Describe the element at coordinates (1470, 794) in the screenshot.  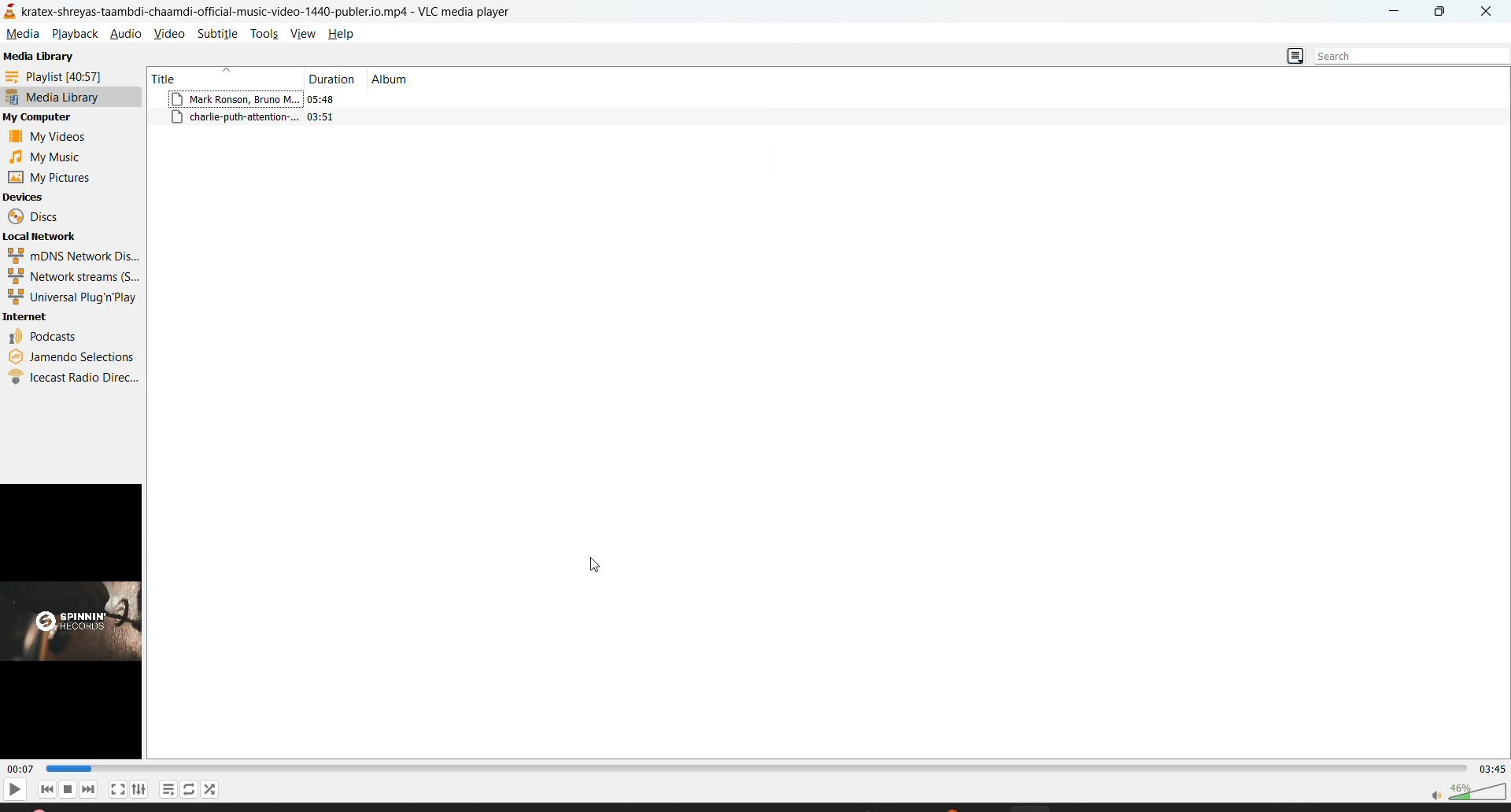
I see `volume` at that location.